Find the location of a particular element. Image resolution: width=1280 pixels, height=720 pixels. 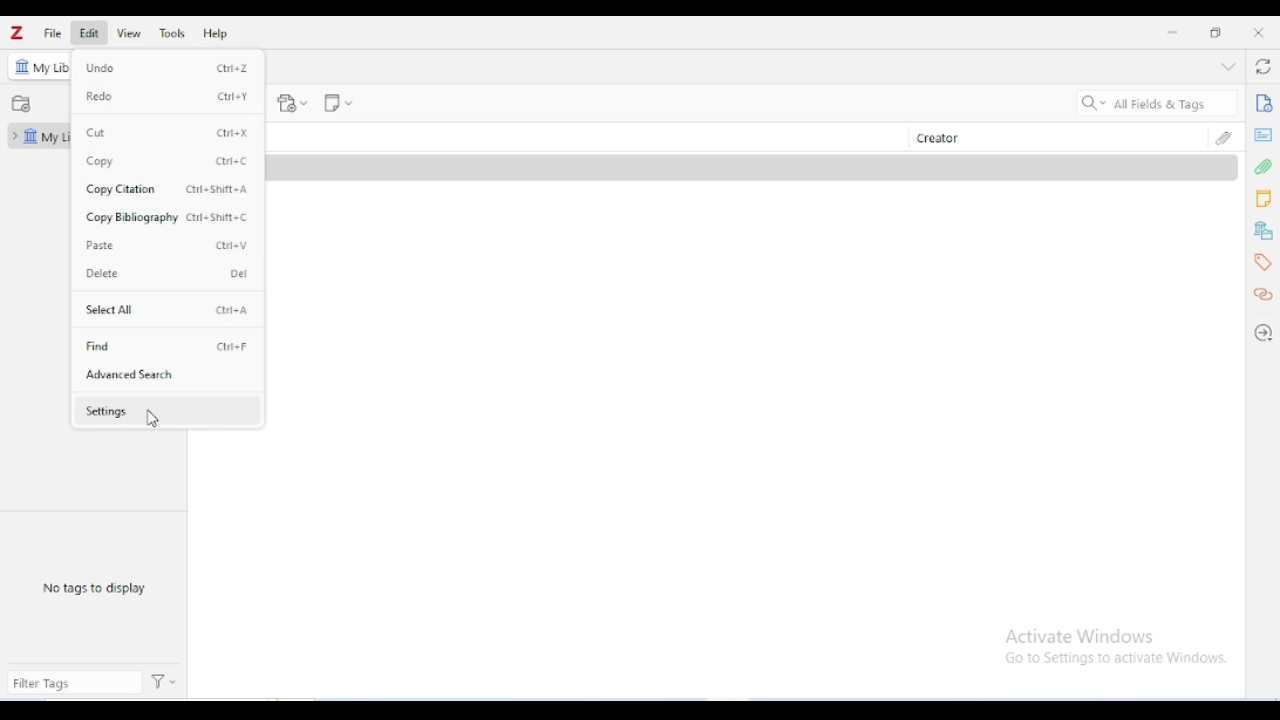

tools is located at coordinates (171, 33).